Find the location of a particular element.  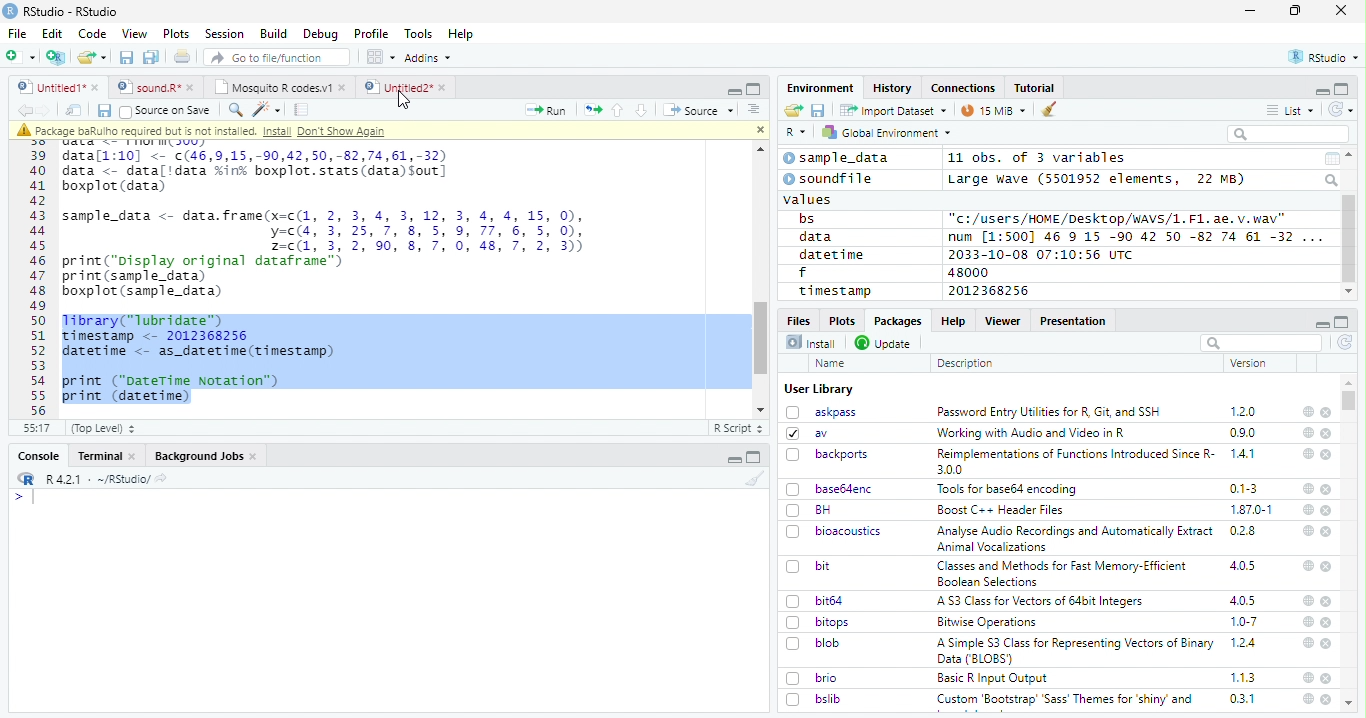

go forward is located at coordinates (48, 110).